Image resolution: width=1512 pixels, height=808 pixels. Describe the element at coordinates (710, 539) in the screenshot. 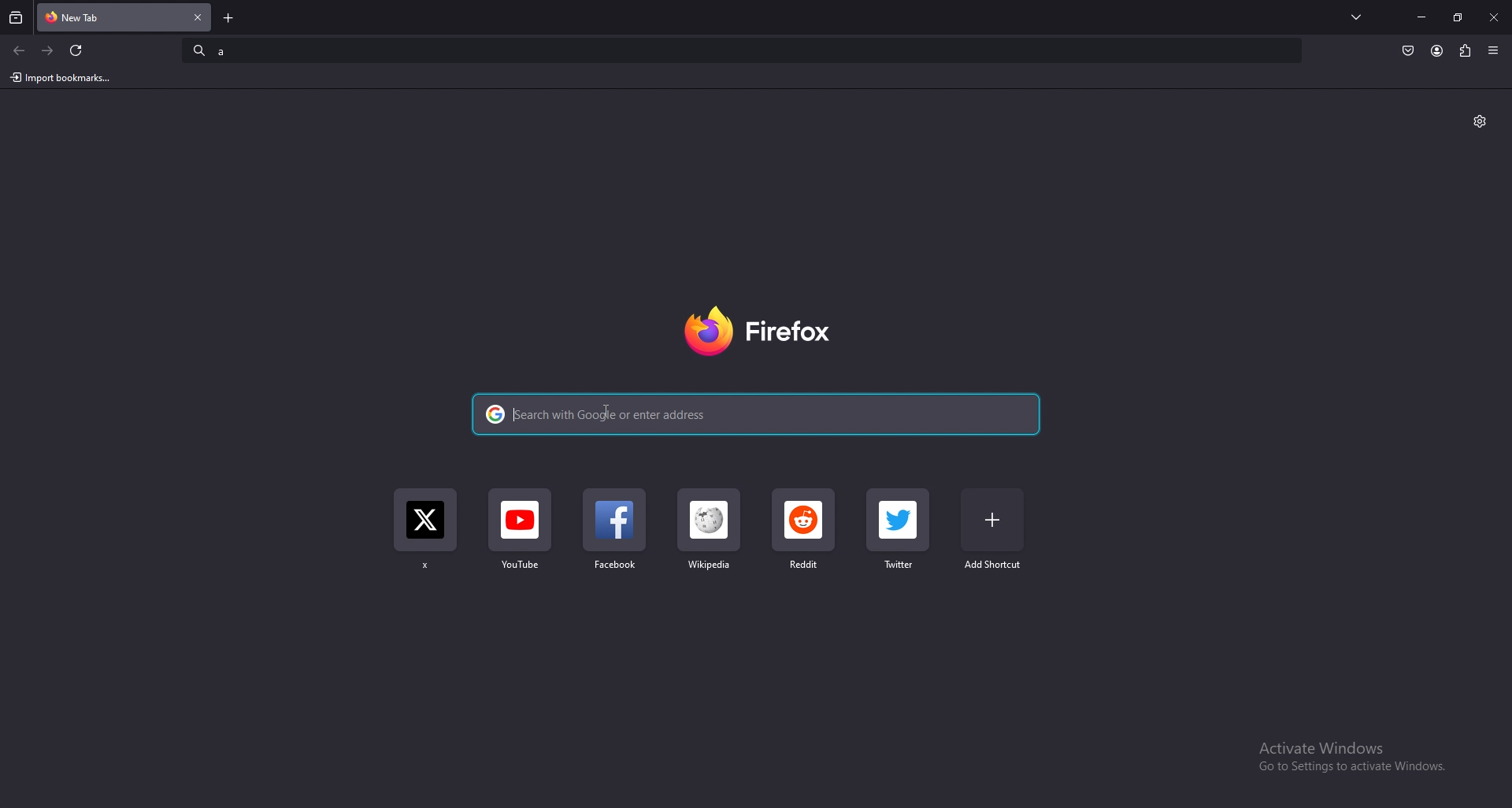

I see `wikipedia` at that location.